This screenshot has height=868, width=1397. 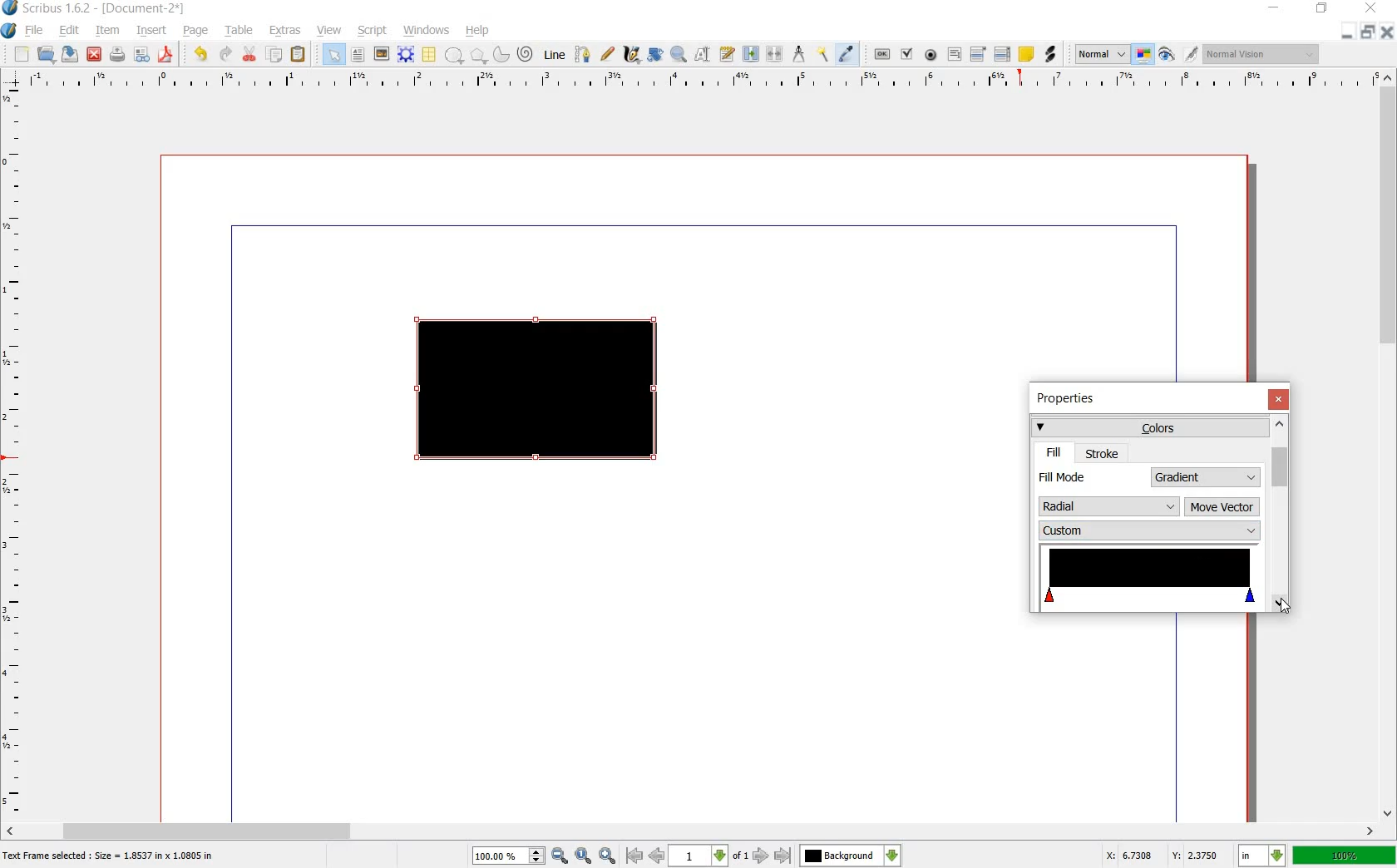 I want to click on copy item properties, so click(x=824, y=53).